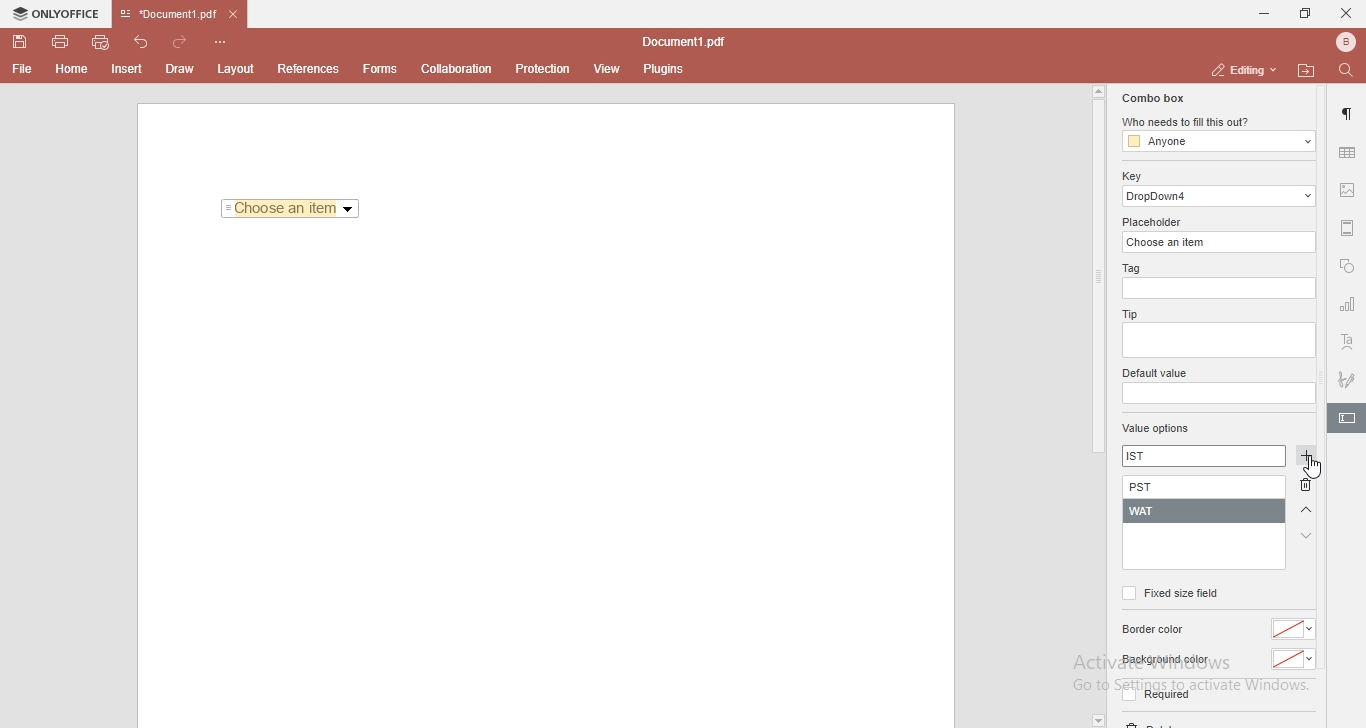 This screenshot has height=728, width=1366. Describe the element at coordinates (1348, 308) in the screenshot. I see `chart` at that location.